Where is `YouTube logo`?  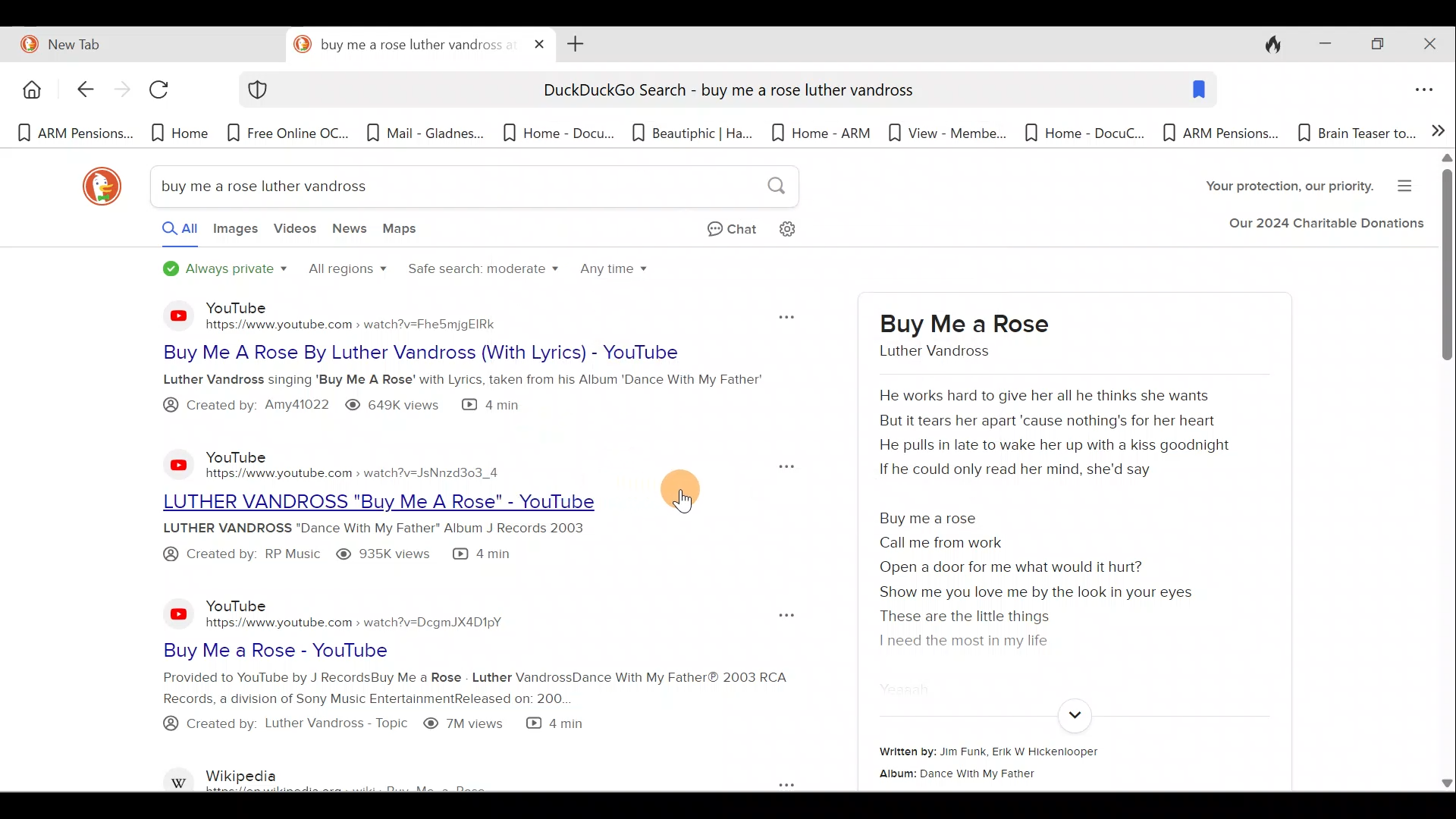
YouTube logo is located at coordinates (168, 315).